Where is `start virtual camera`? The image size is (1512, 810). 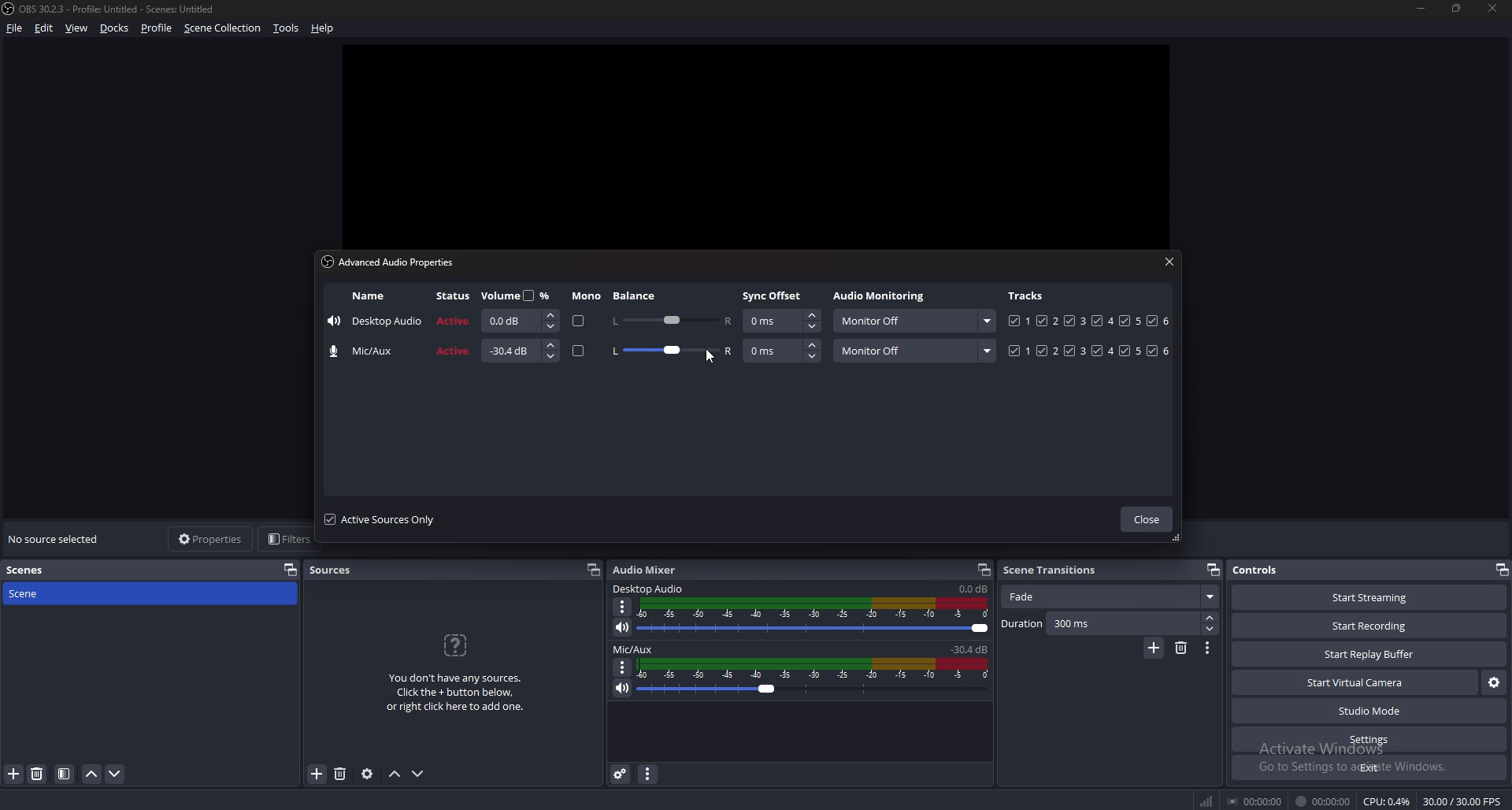
start virtual camera is located at coordinates (1356, 683).